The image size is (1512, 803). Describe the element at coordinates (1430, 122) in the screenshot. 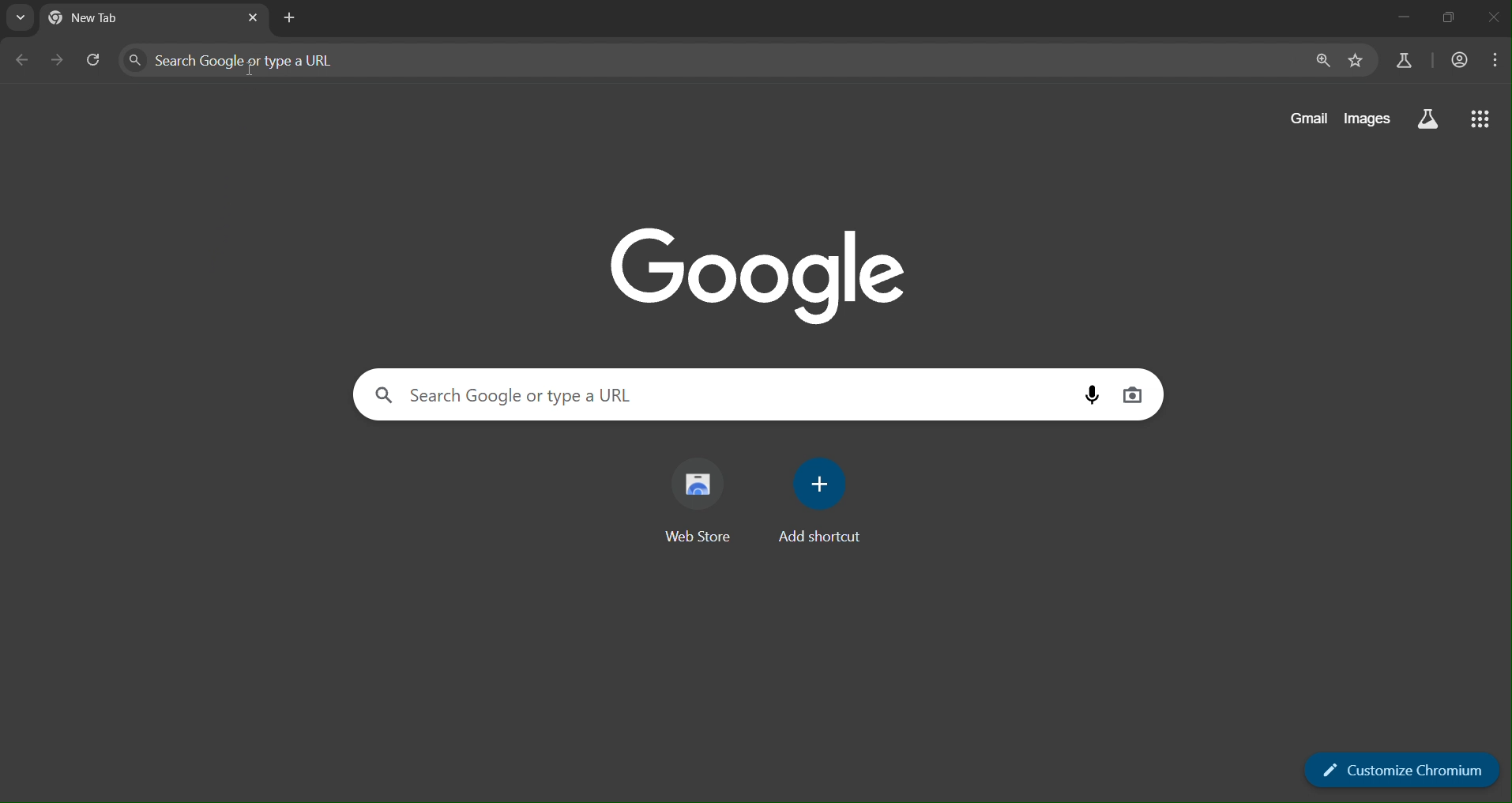

I see `search labs` at that location.